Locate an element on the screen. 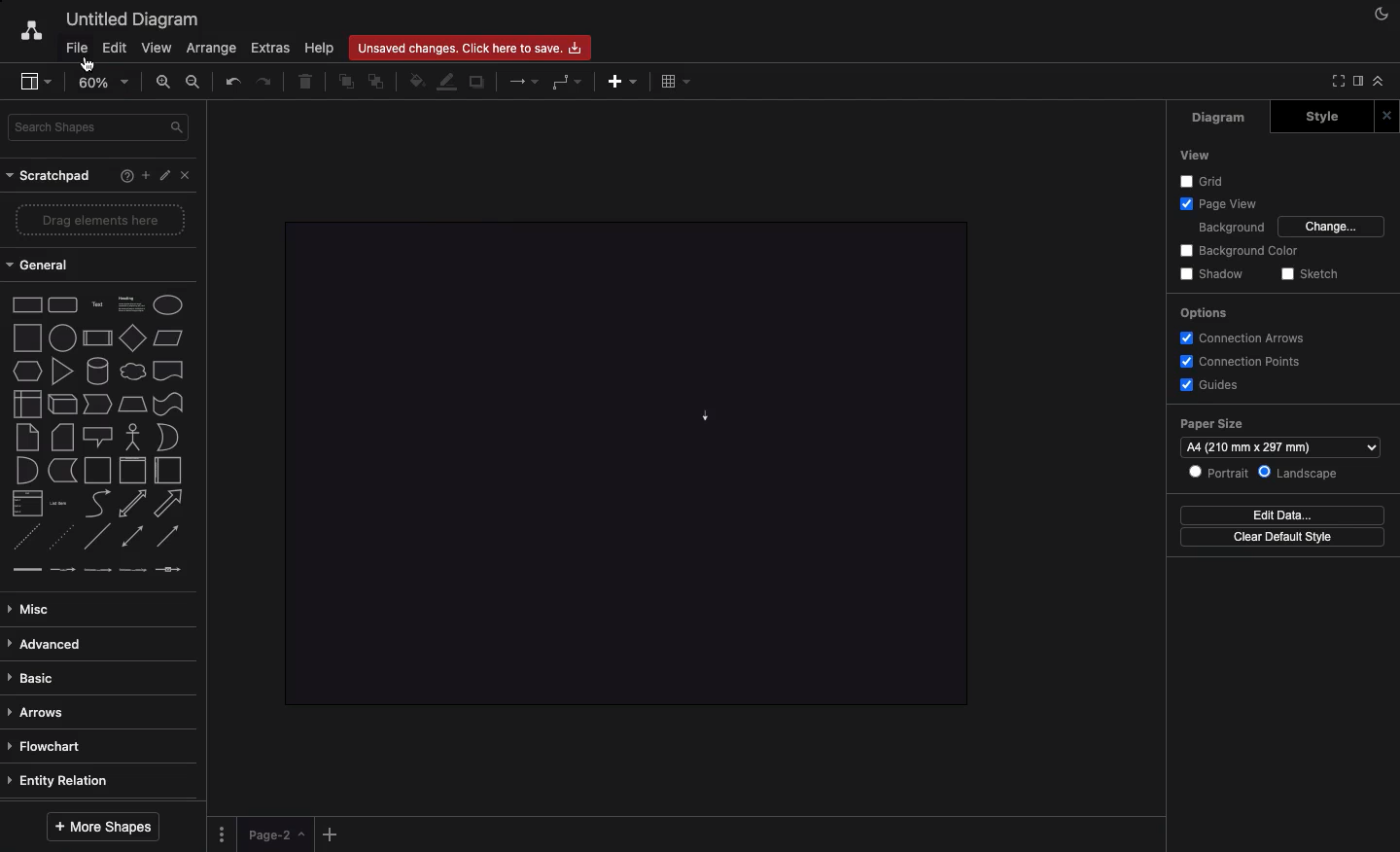 The image size is (1400, 852). Scratchpad is located at coordinates (51, 175).